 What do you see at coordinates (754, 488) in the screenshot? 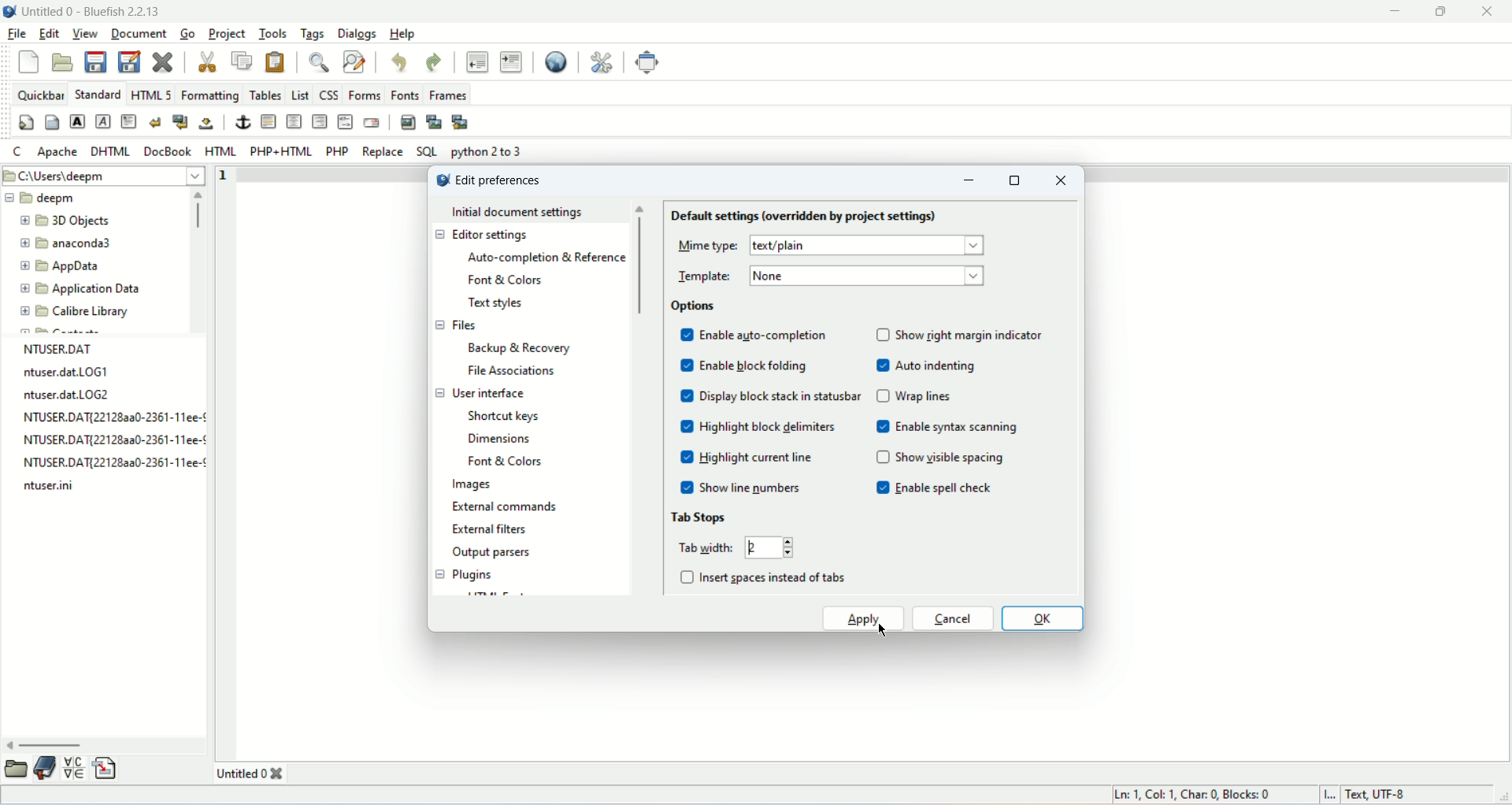
I see `show line numbers` at bounding box center [754, 488].